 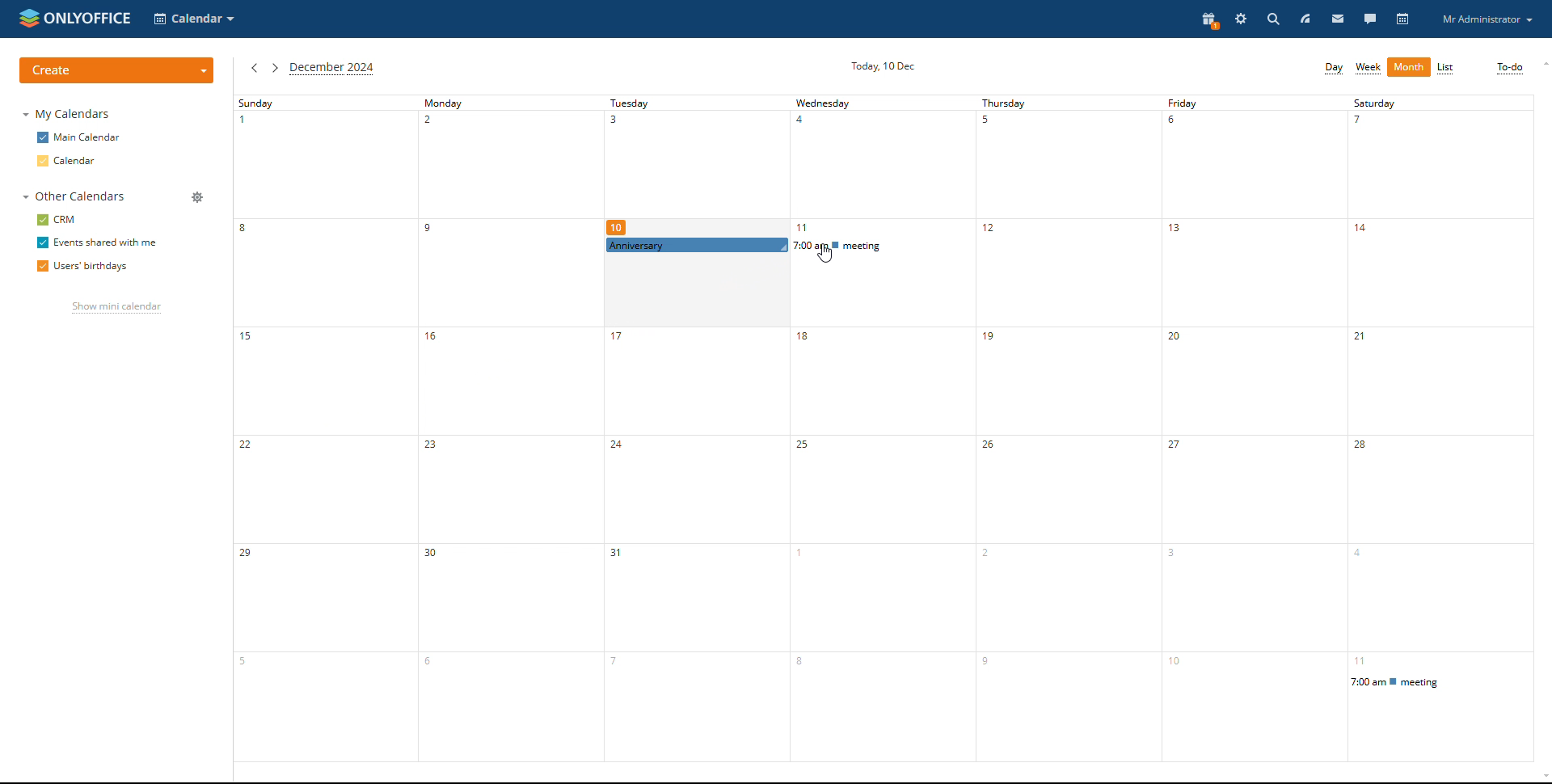 I want to click on scroll up, so click(x=1542, y=65).